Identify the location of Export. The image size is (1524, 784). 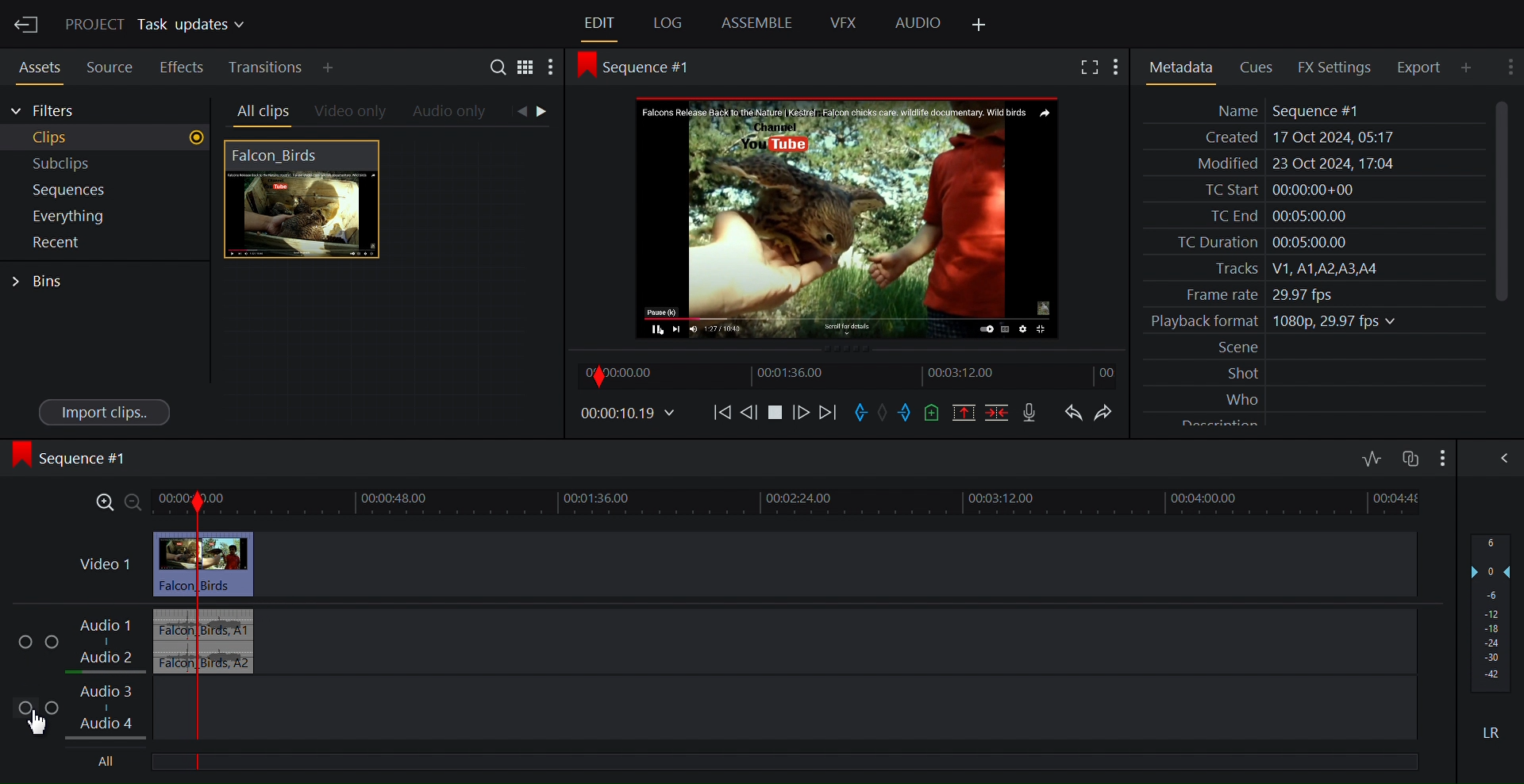
(1425, 67).